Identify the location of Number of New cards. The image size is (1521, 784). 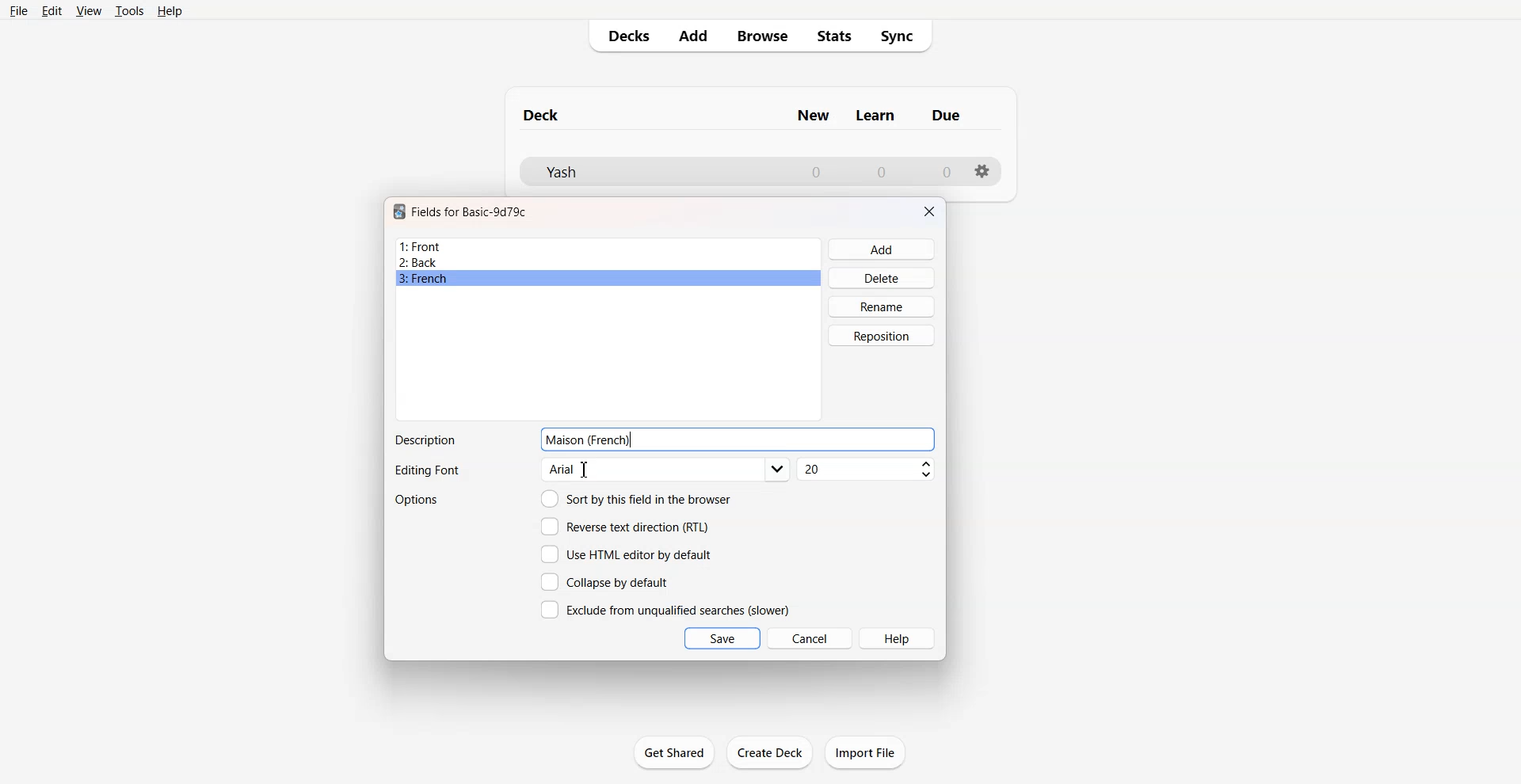
(816, 172).